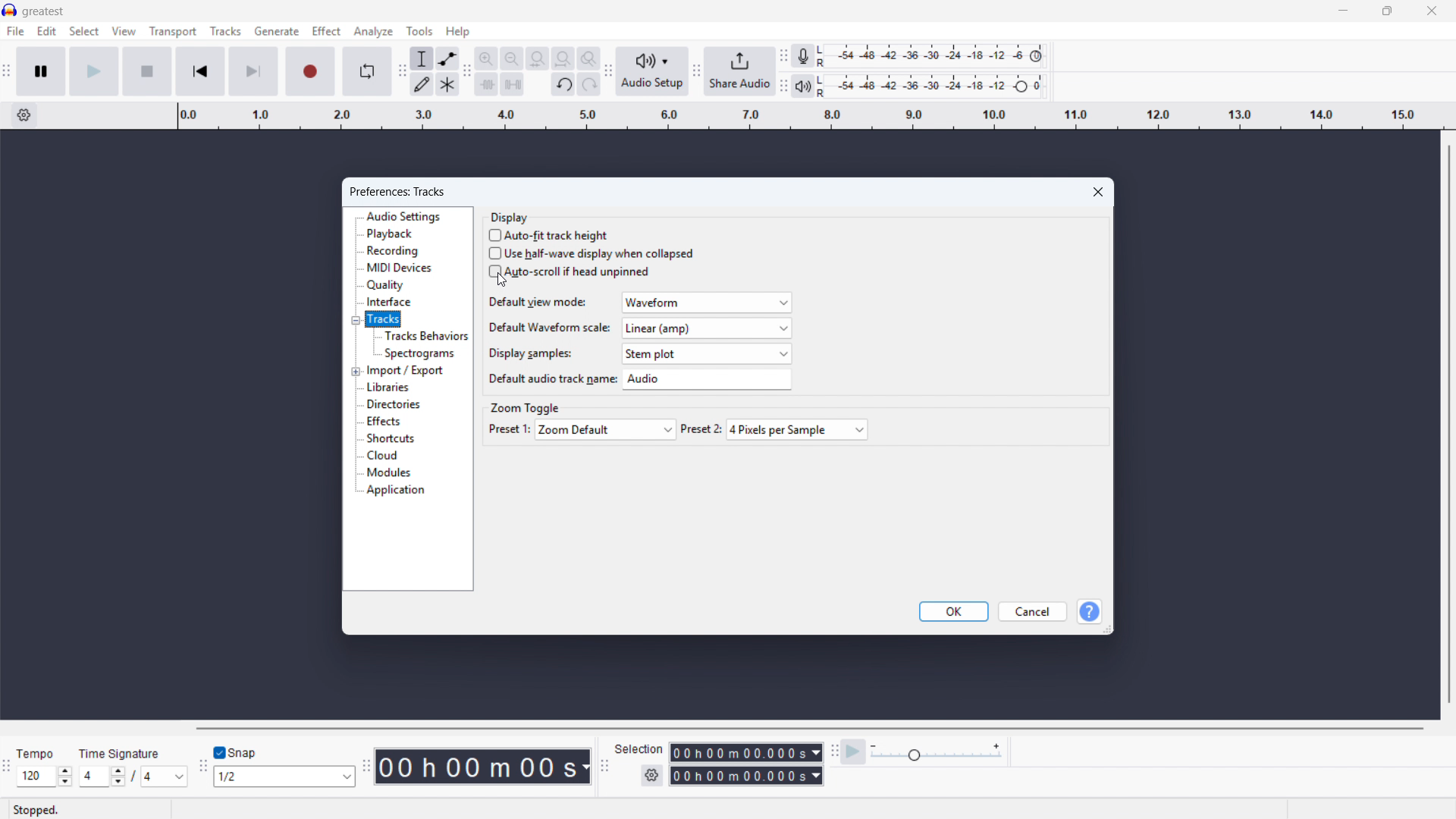 The image size is (1456, 819). What do you see at coordinates (121, 754) in the screenshot?
I see `time signature` at bounding box center [121, 754].